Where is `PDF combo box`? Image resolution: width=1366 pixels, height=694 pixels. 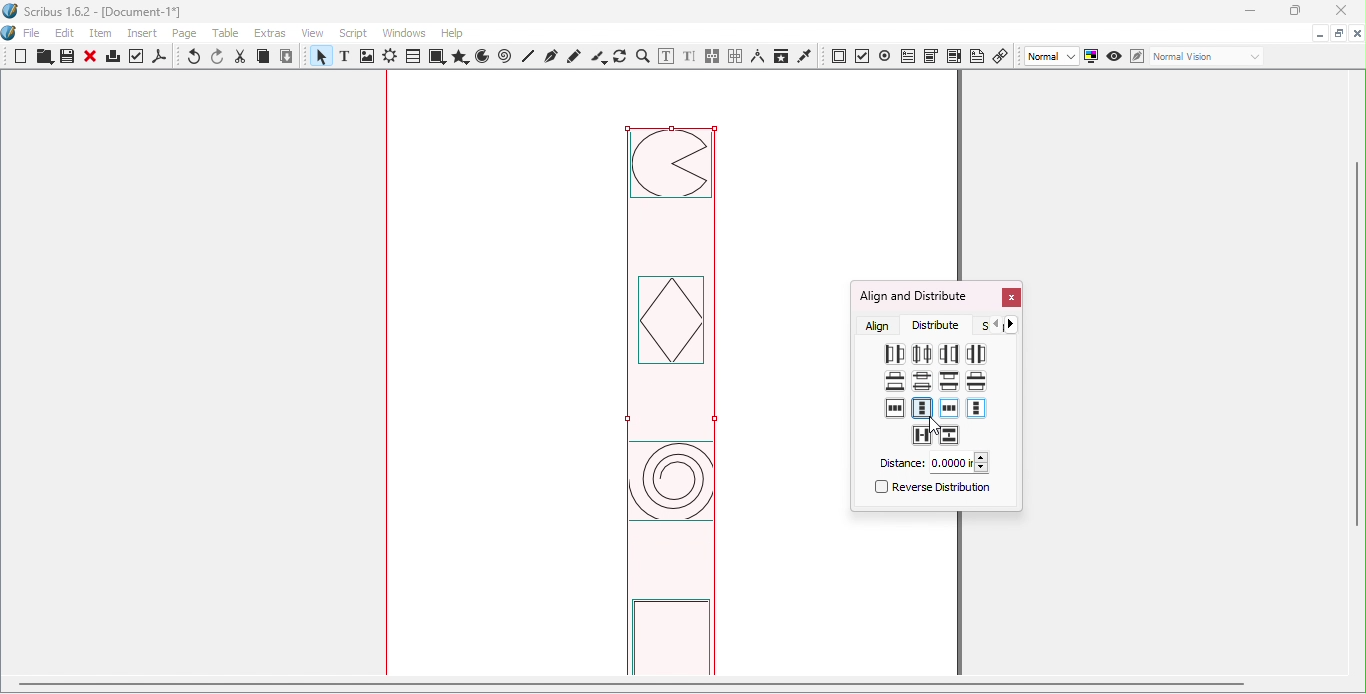
PDF combo box is located at coordinates (930, 56).